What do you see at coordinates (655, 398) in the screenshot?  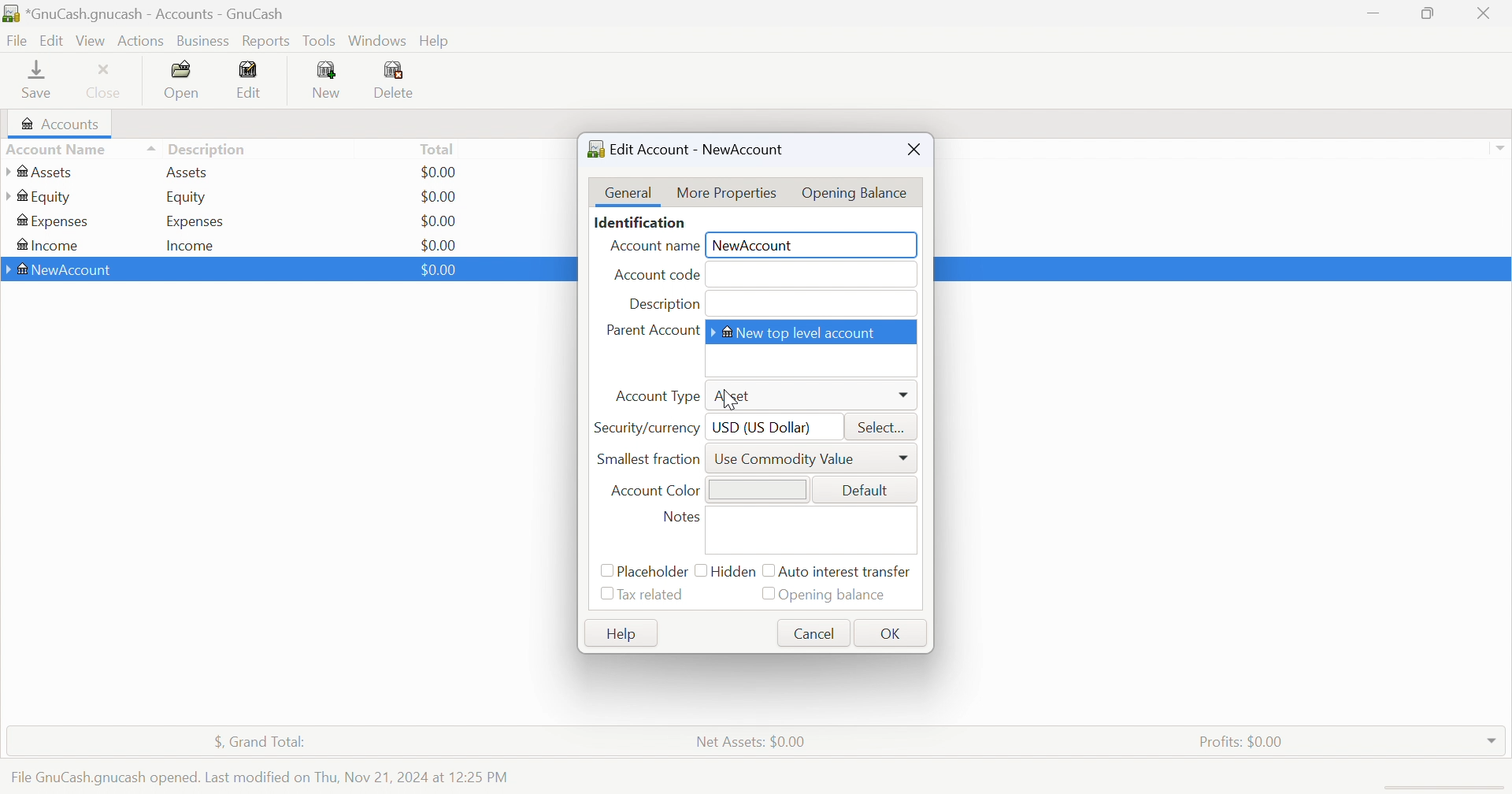 I see `Account Type` at bounding box center [655, 398].